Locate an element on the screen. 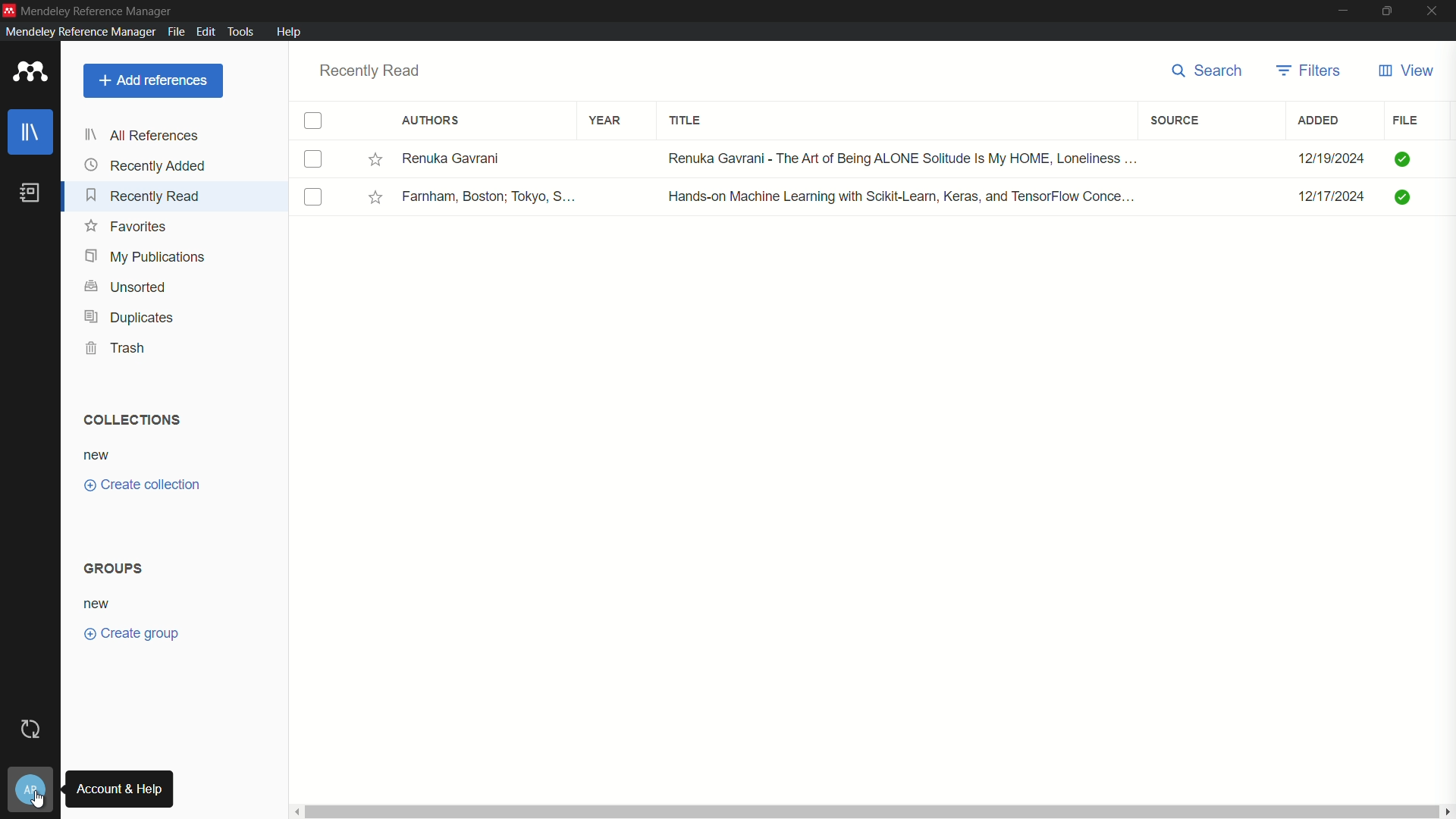 The height and width of the screenshot is (819, 1456). file menu is located at coordinates (177, 33).